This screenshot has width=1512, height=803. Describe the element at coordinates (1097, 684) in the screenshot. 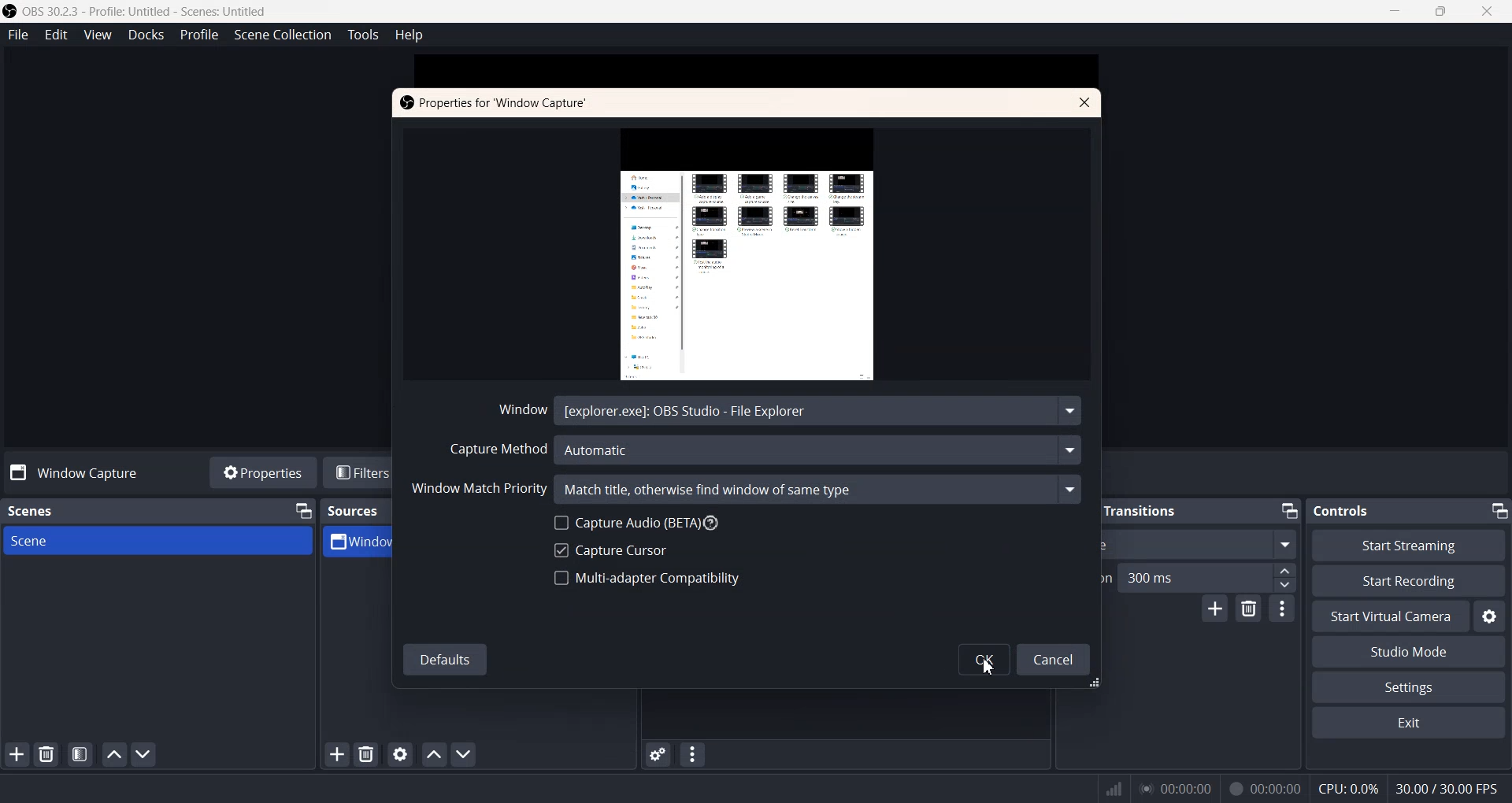

I see `Window Adjuster` at that location.